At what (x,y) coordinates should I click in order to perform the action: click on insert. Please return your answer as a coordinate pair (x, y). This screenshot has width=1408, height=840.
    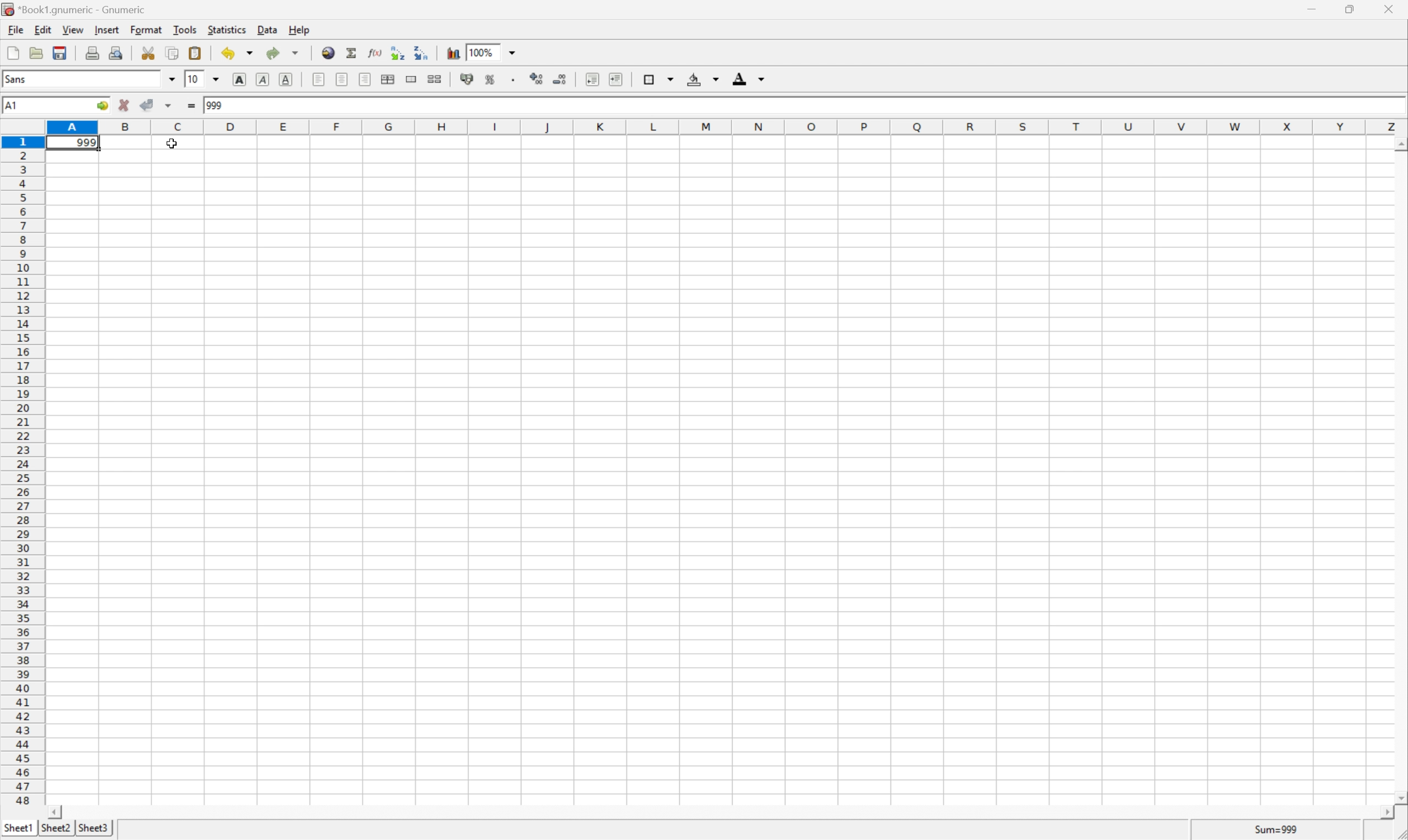
    Looking at the image, I should click on (106, 31).